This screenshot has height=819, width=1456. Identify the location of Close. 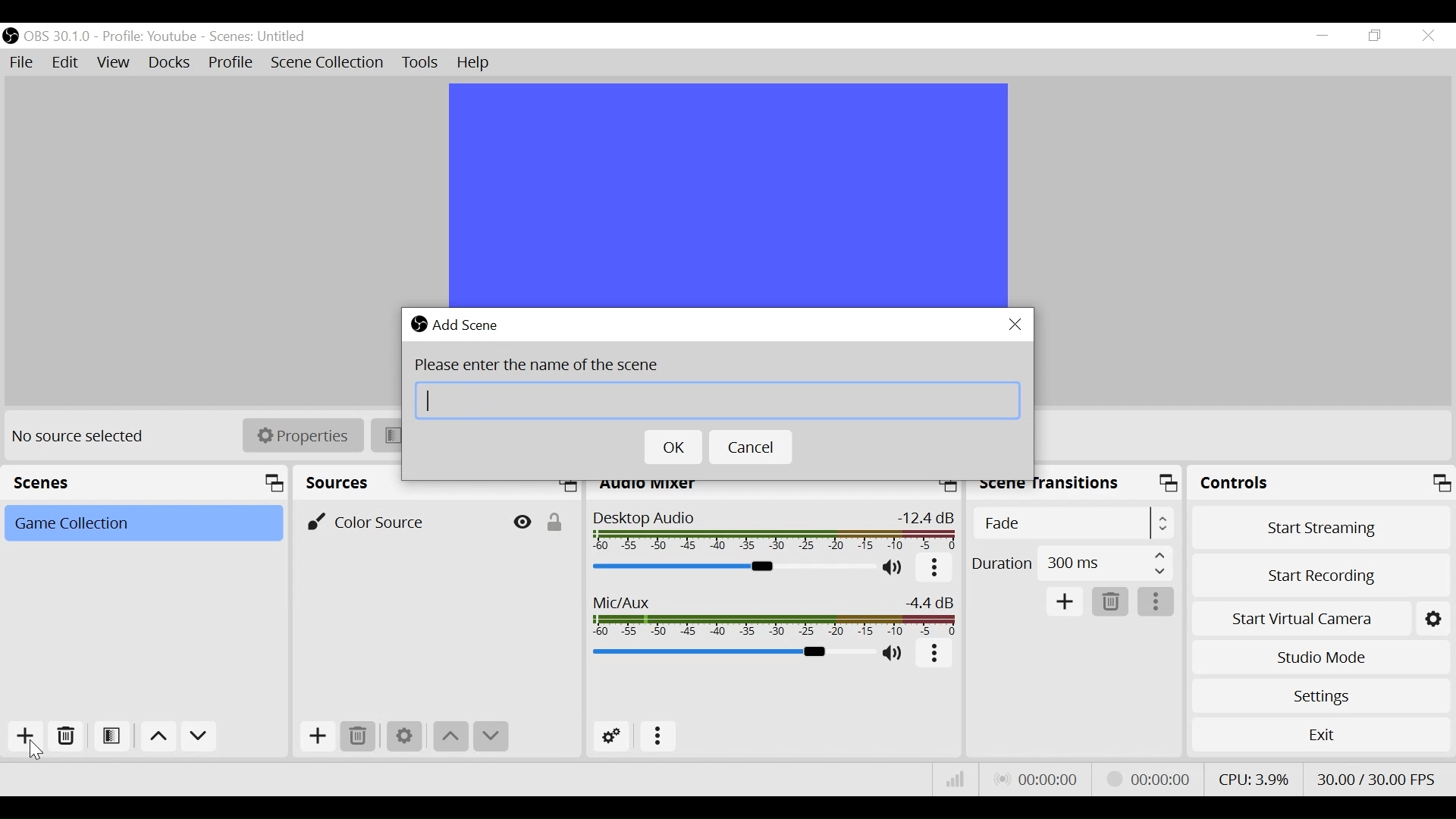
(1016, 324).